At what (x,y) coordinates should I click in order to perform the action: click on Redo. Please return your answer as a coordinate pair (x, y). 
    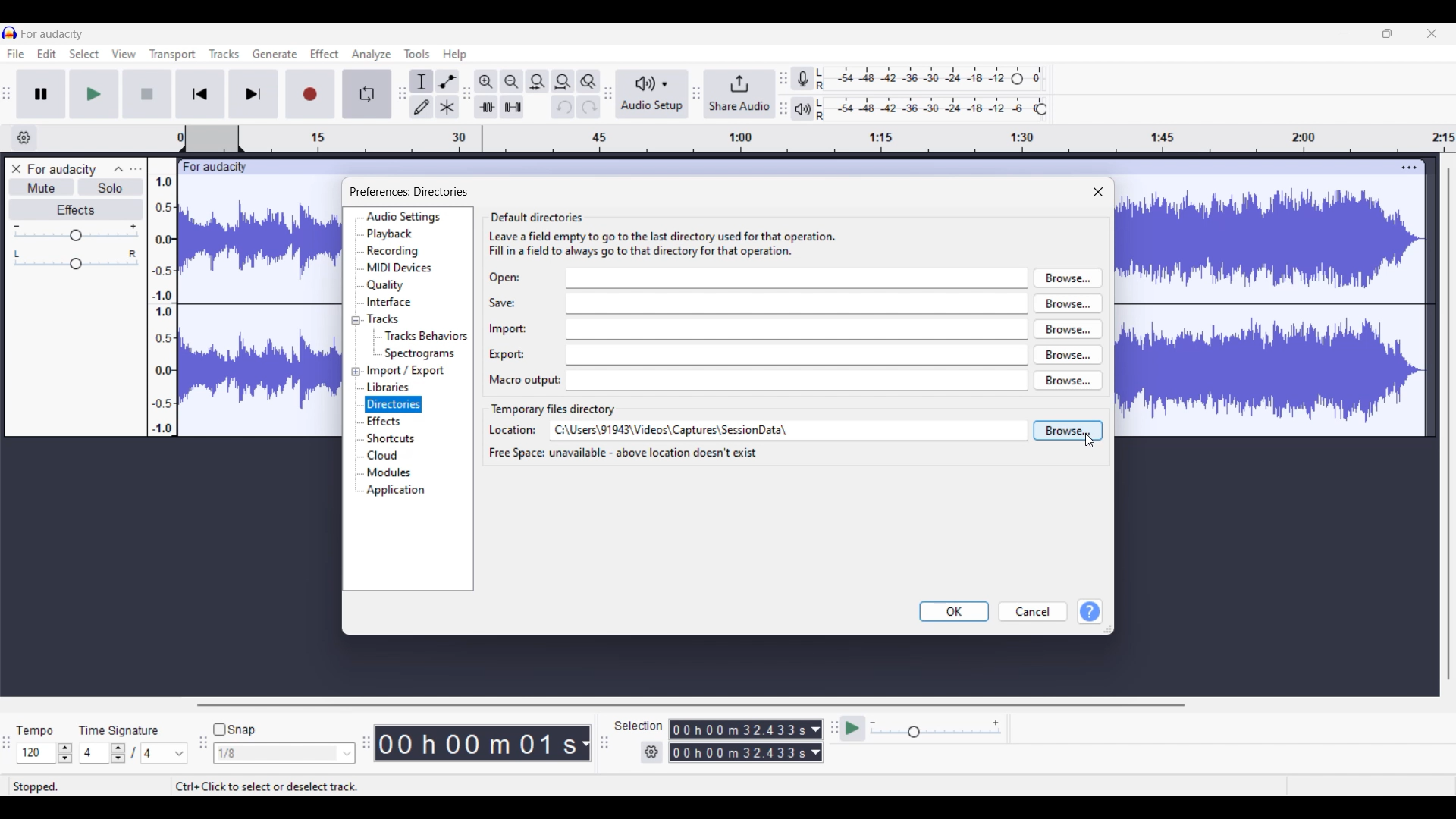
    Looking at the image, I should click on (588, 106).